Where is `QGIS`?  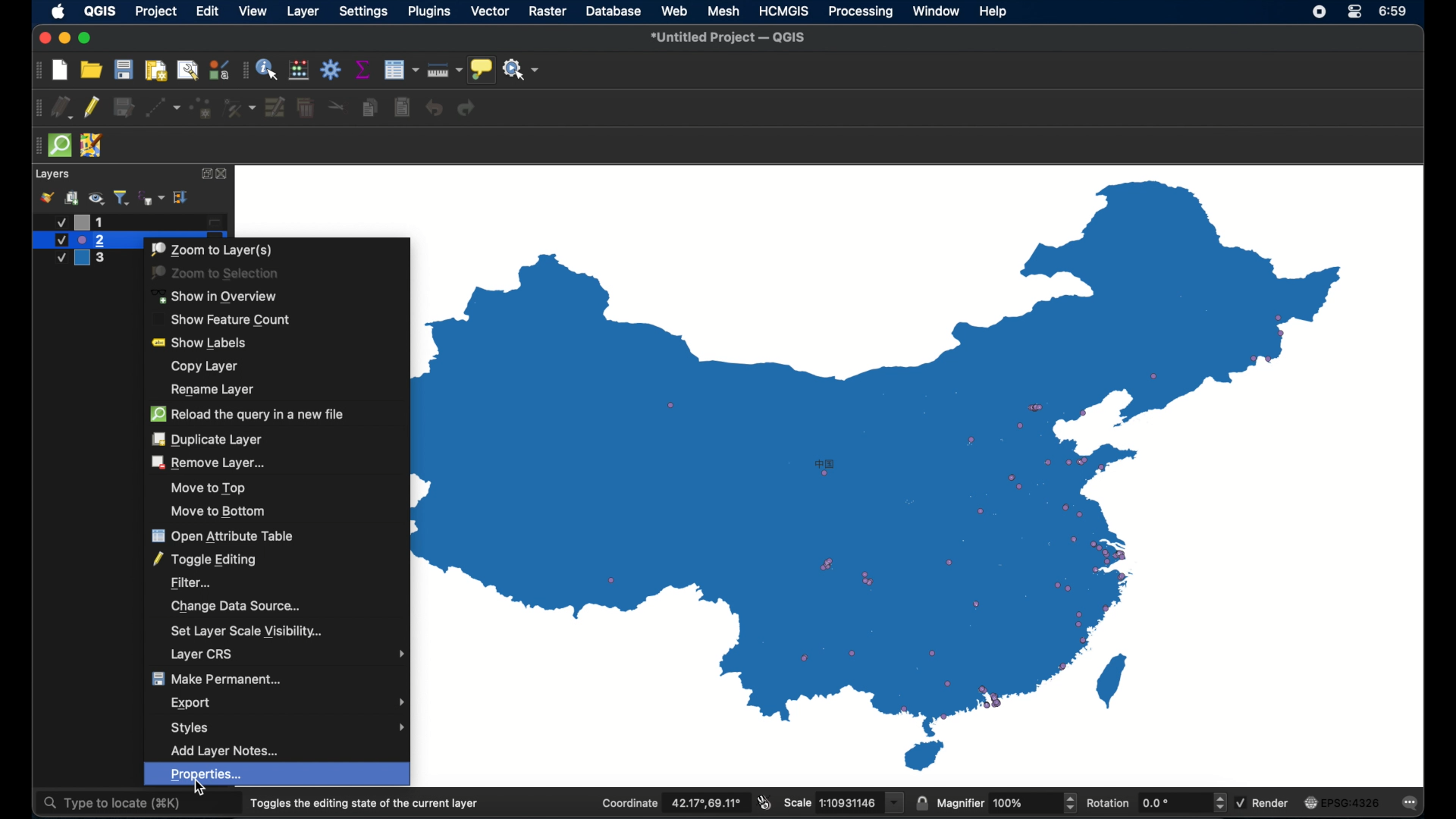
QGIS is located at coordinates (102, 11).